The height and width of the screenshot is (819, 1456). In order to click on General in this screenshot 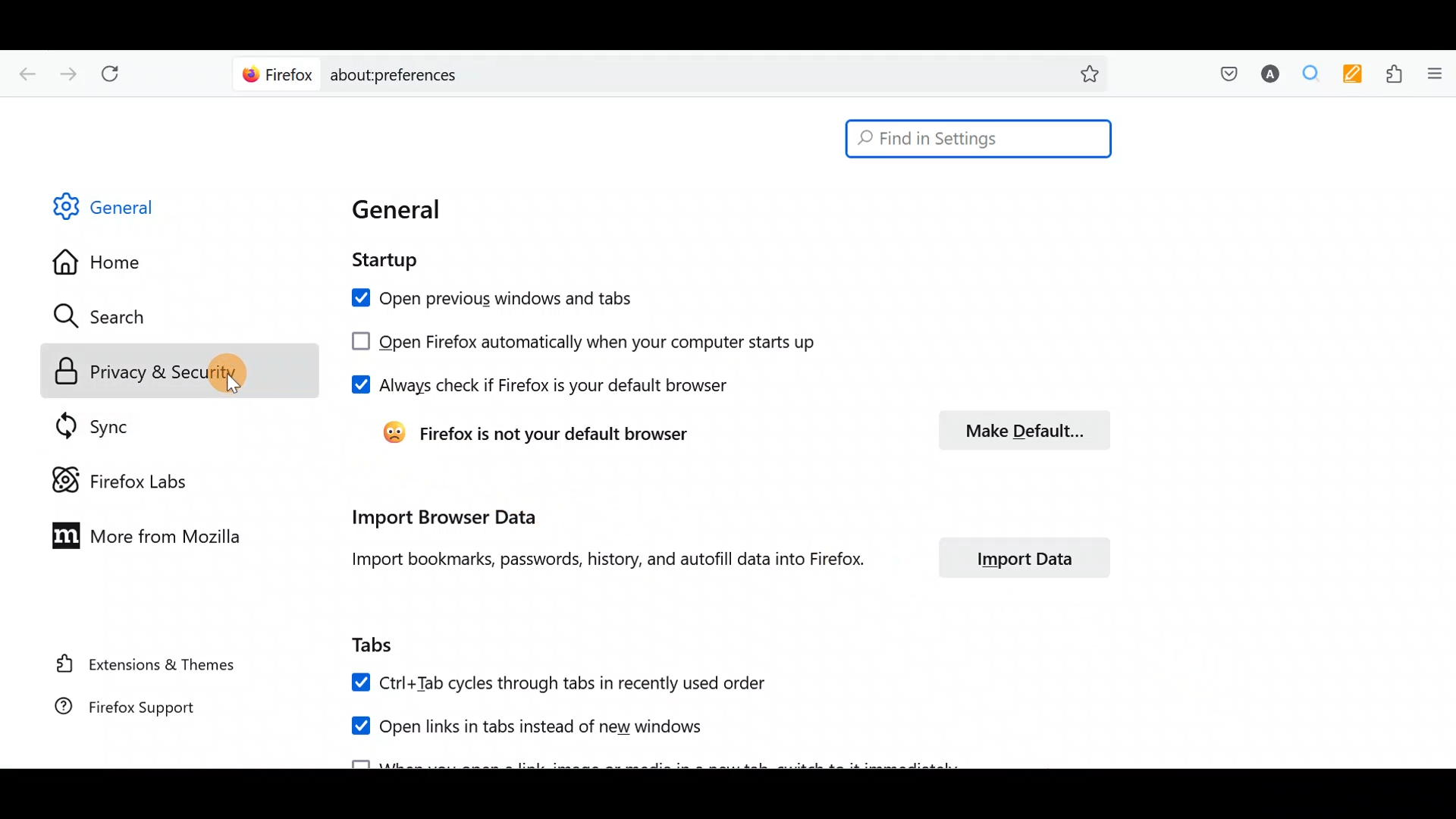, I will do `click(407, 211)`.